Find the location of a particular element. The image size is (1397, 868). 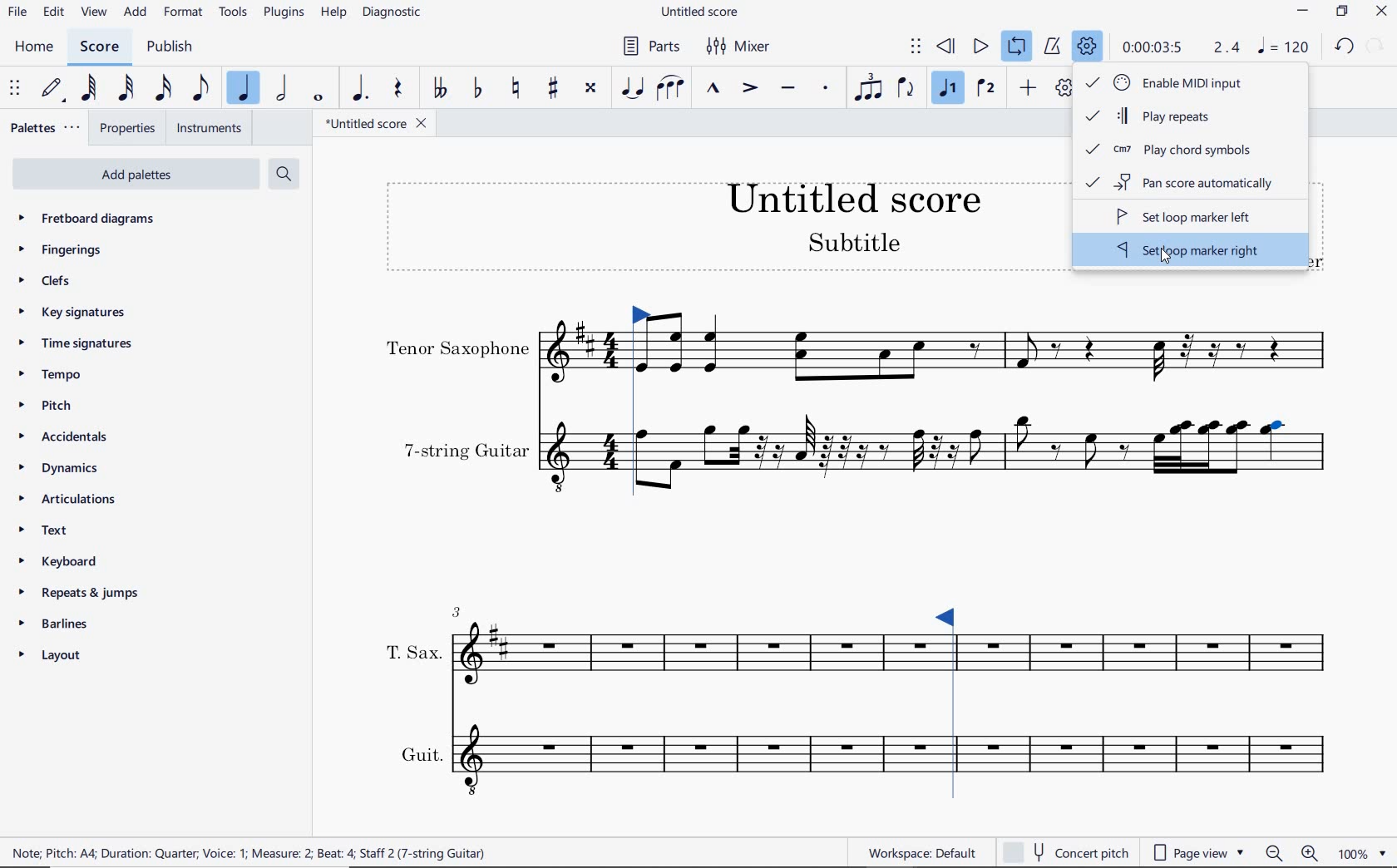

VIEW is located at coordinates (93, 12).